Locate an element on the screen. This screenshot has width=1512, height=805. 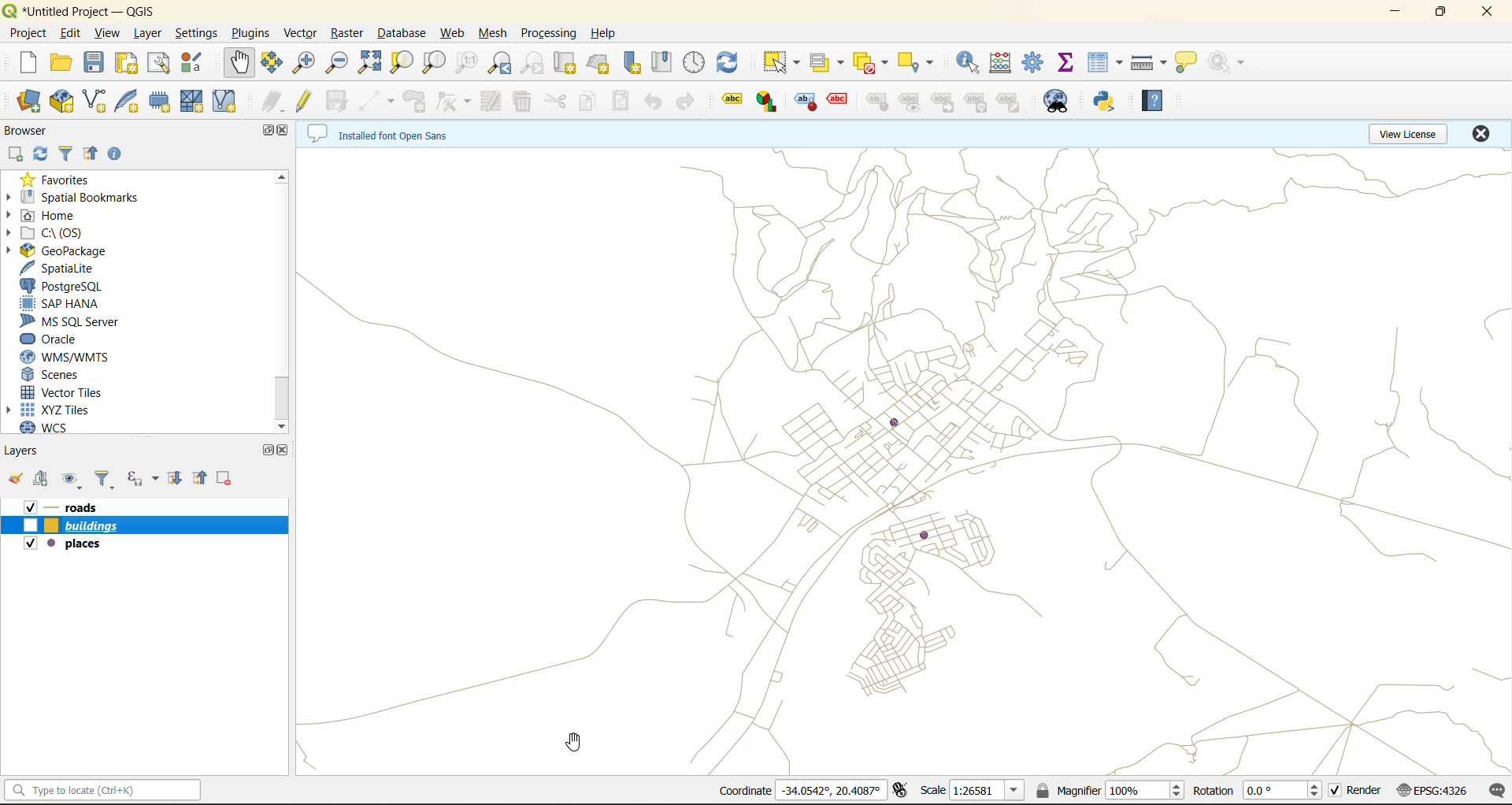
redo is located at coordinates (690, 103).